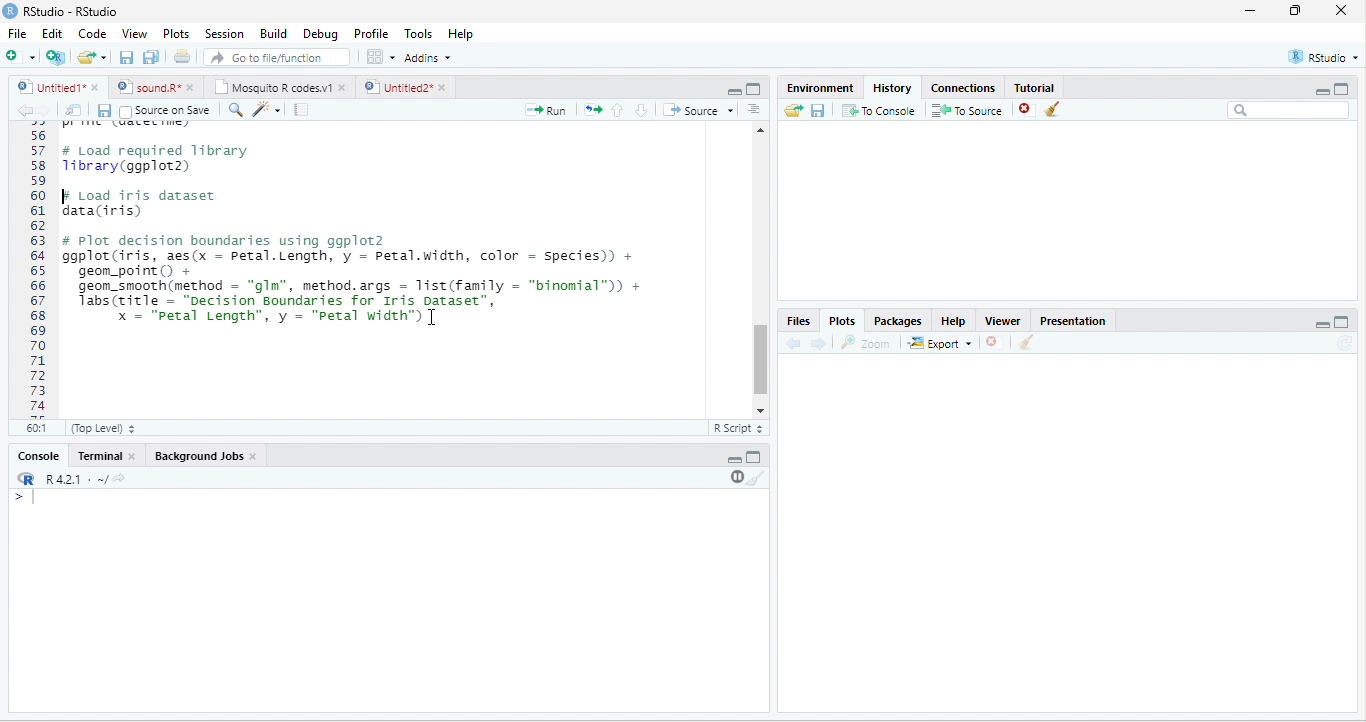 The width and height of the screenshot is (1366, 722). What do you see at coordinates (75, 110) in the screenshot?
I see `show in new window` at bounding box center [75, 110].